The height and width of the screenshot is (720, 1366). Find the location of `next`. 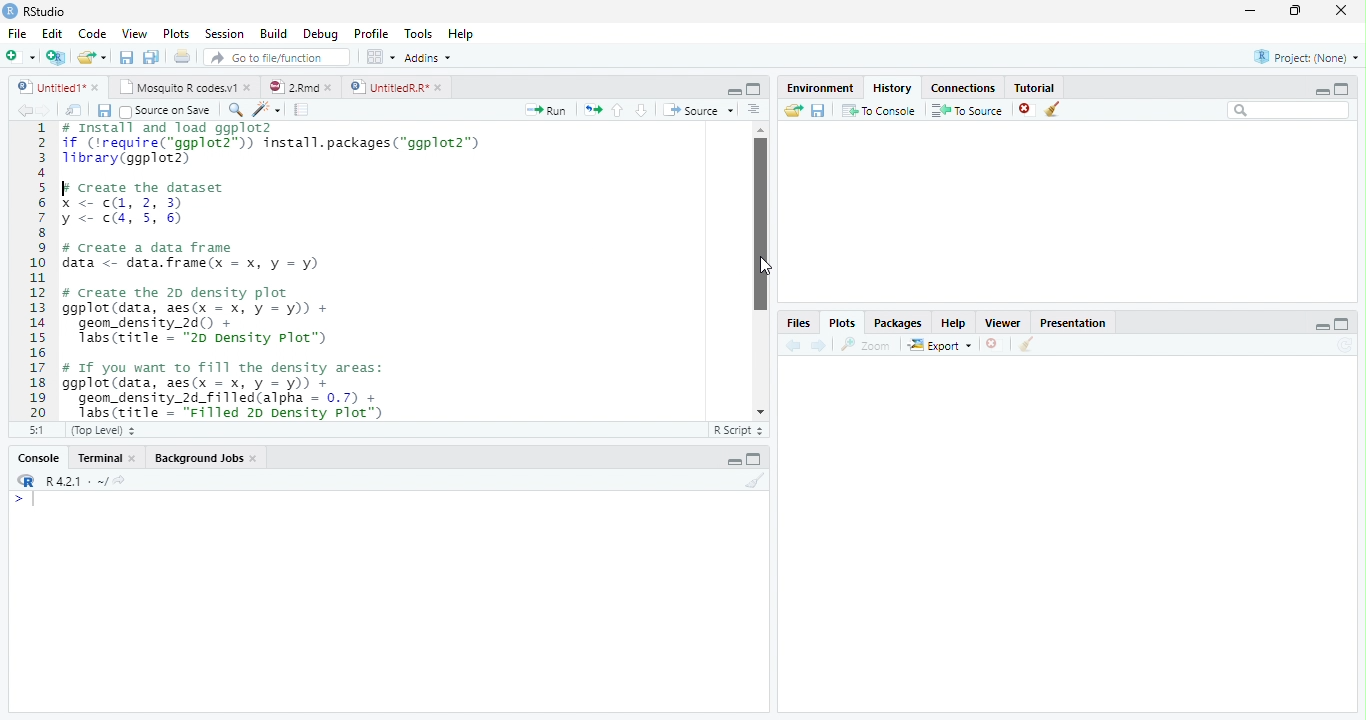

next is located at coordinates (821, 346).